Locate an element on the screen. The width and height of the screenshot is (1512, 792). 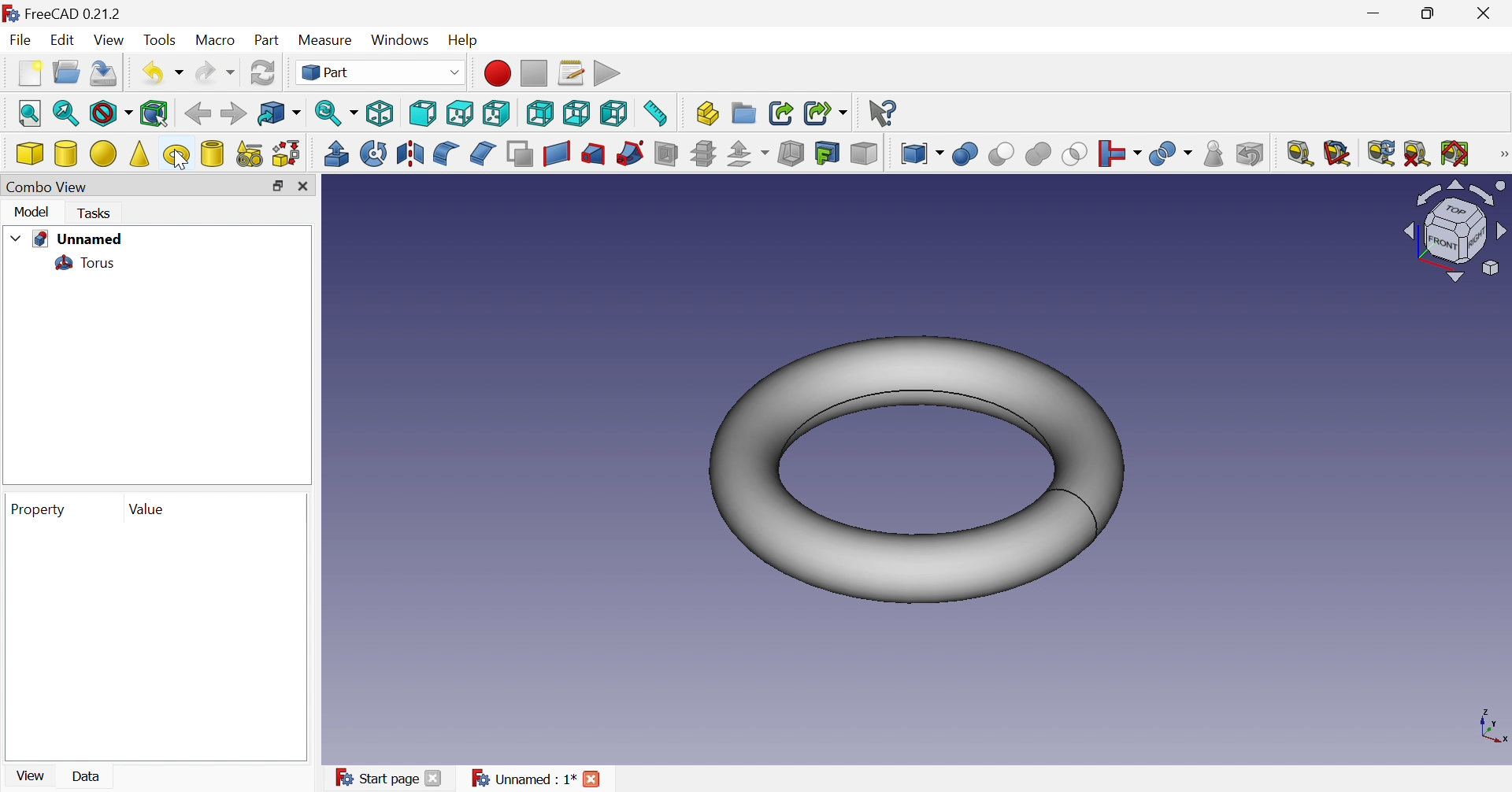
Edit is located at coordinates (61, 40).